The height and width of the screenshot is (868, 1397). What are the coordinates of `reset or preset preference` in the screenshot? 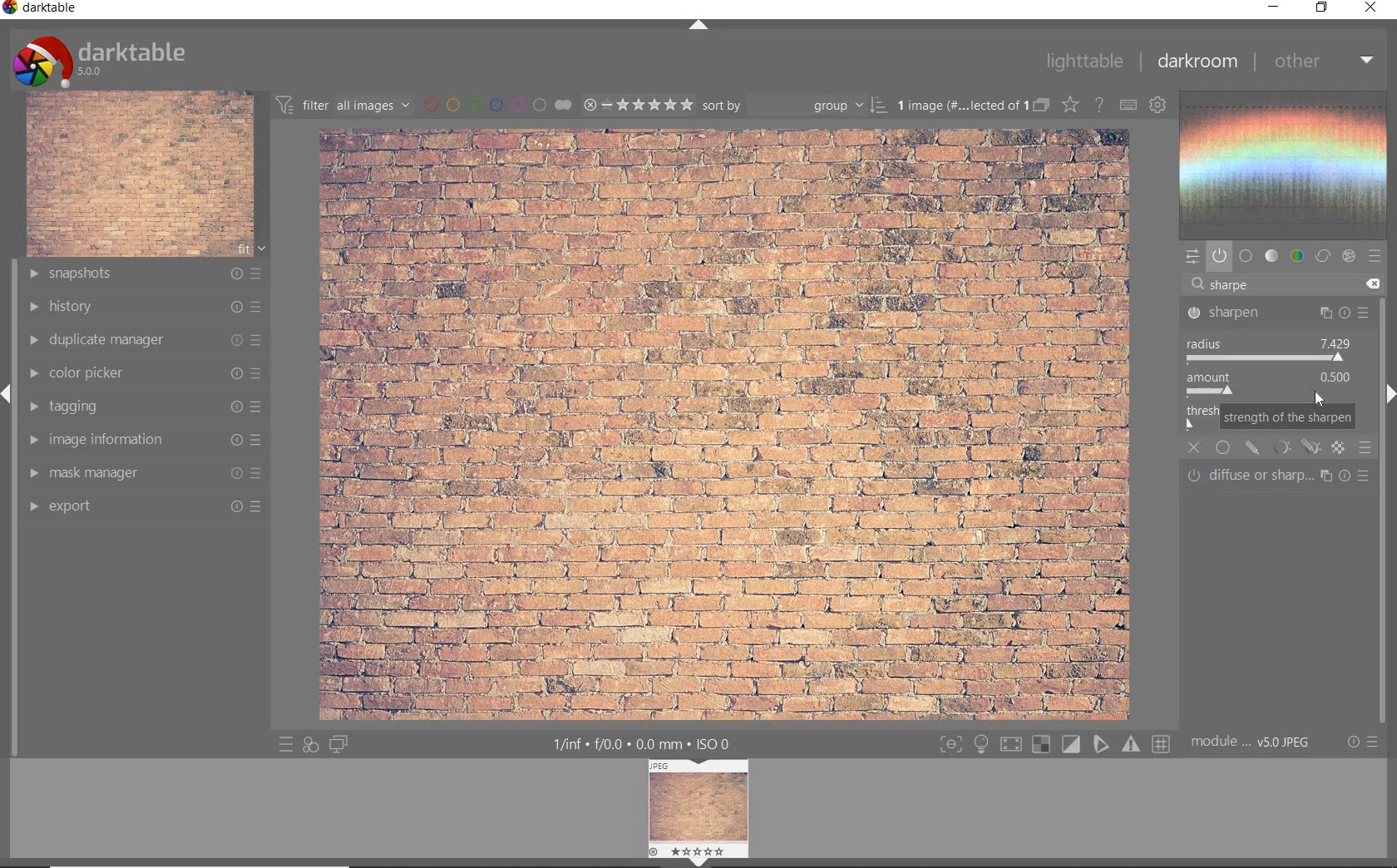 It's located at (1360, 742).